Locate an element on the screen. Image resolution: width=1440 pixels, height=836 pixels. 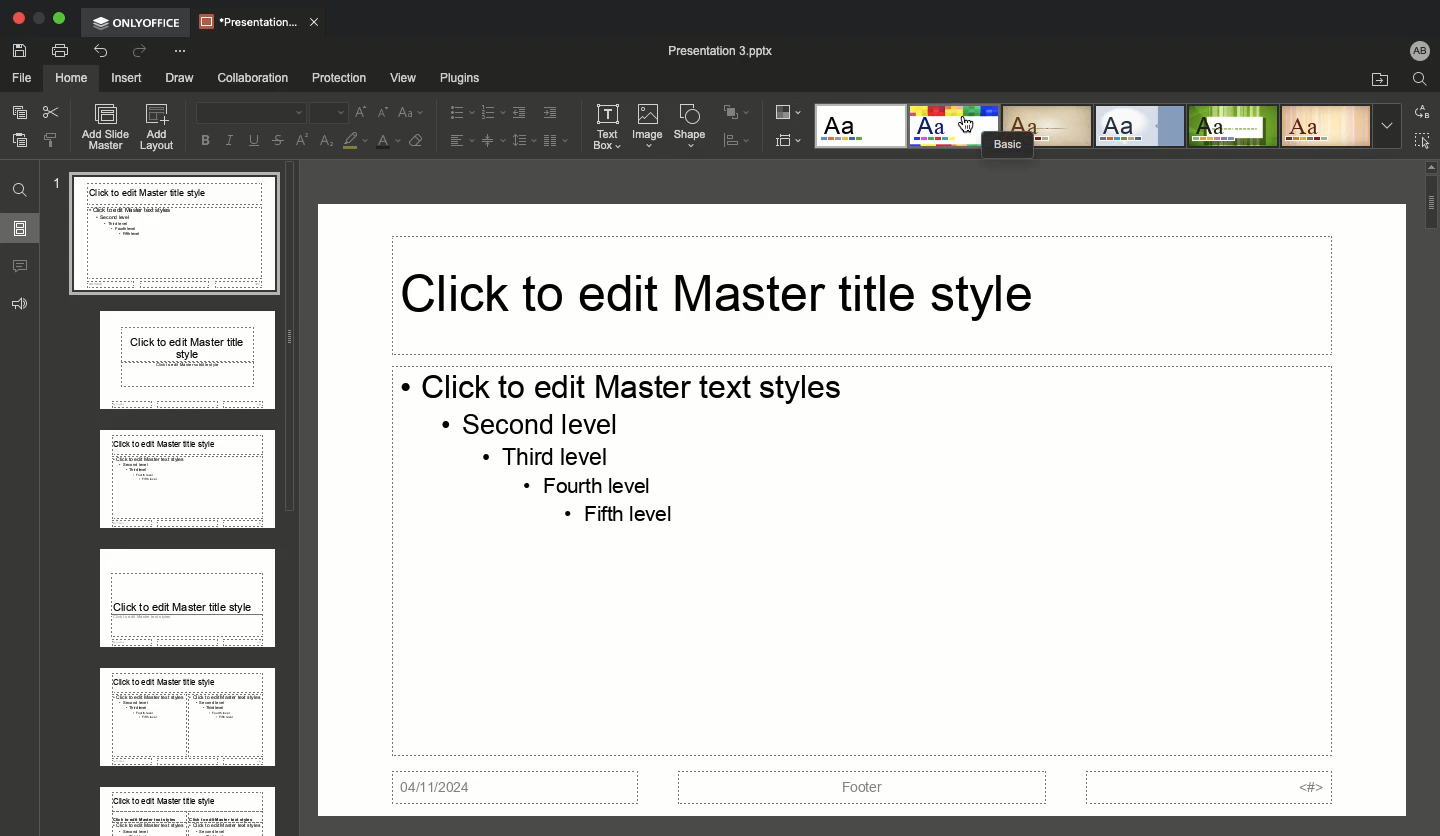
Add slide master is located at coordinates (103, 126).